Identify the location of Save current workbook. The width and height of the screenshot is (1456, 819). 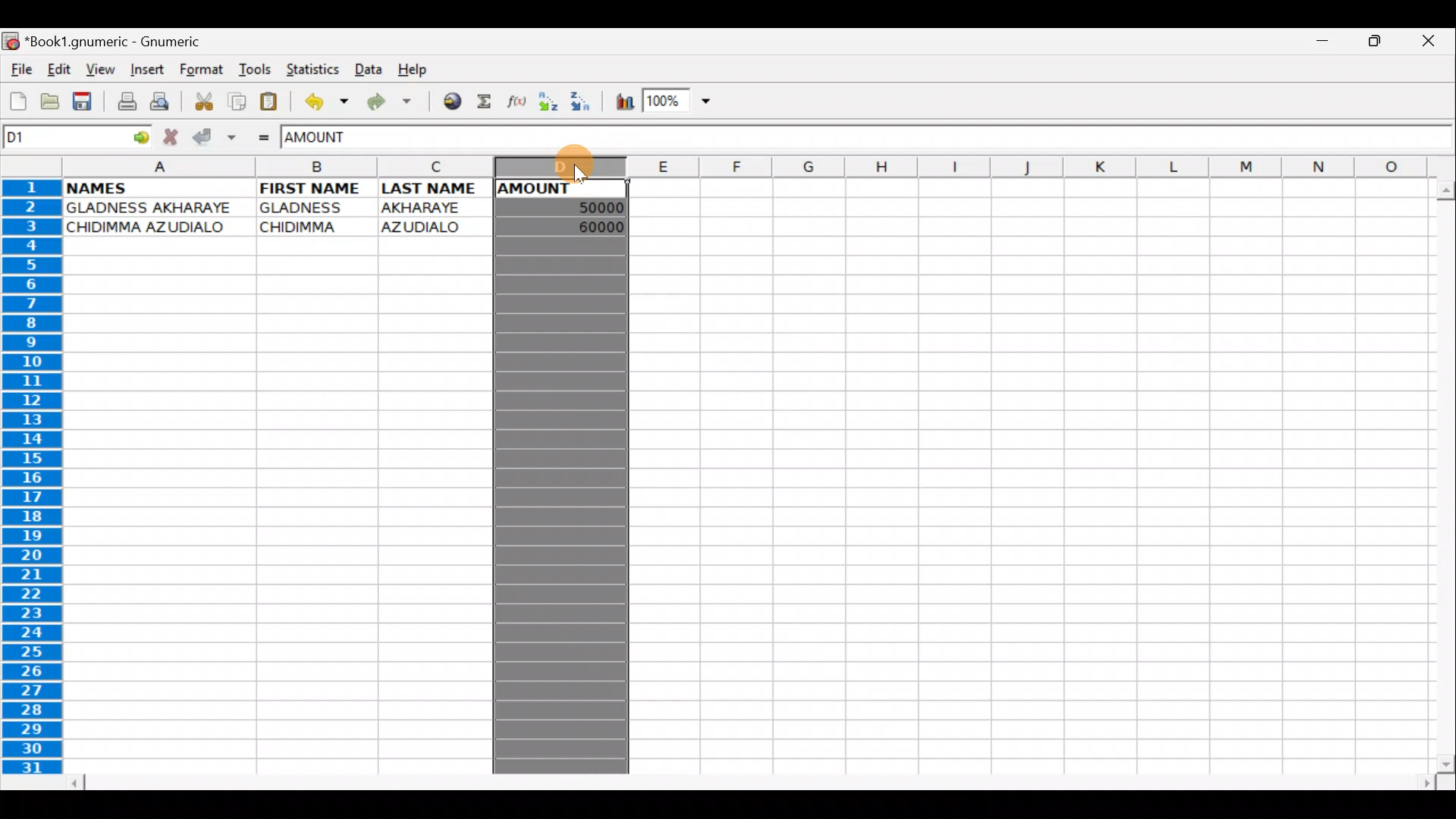
(82, 101).